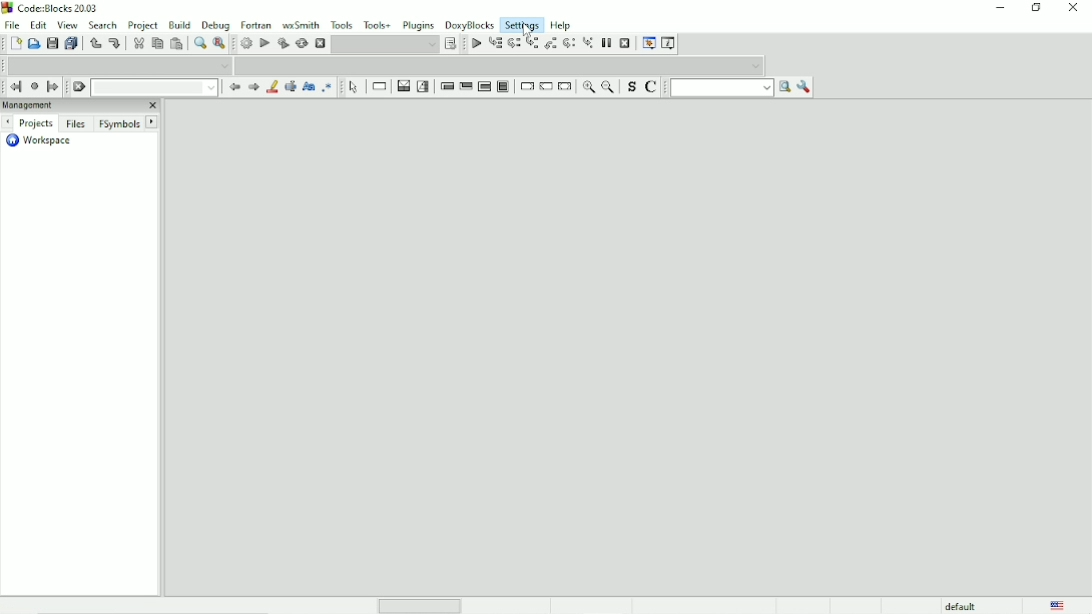 This screenshot has width=1092, height=614. I want to click on Replace, so click(220, 44).